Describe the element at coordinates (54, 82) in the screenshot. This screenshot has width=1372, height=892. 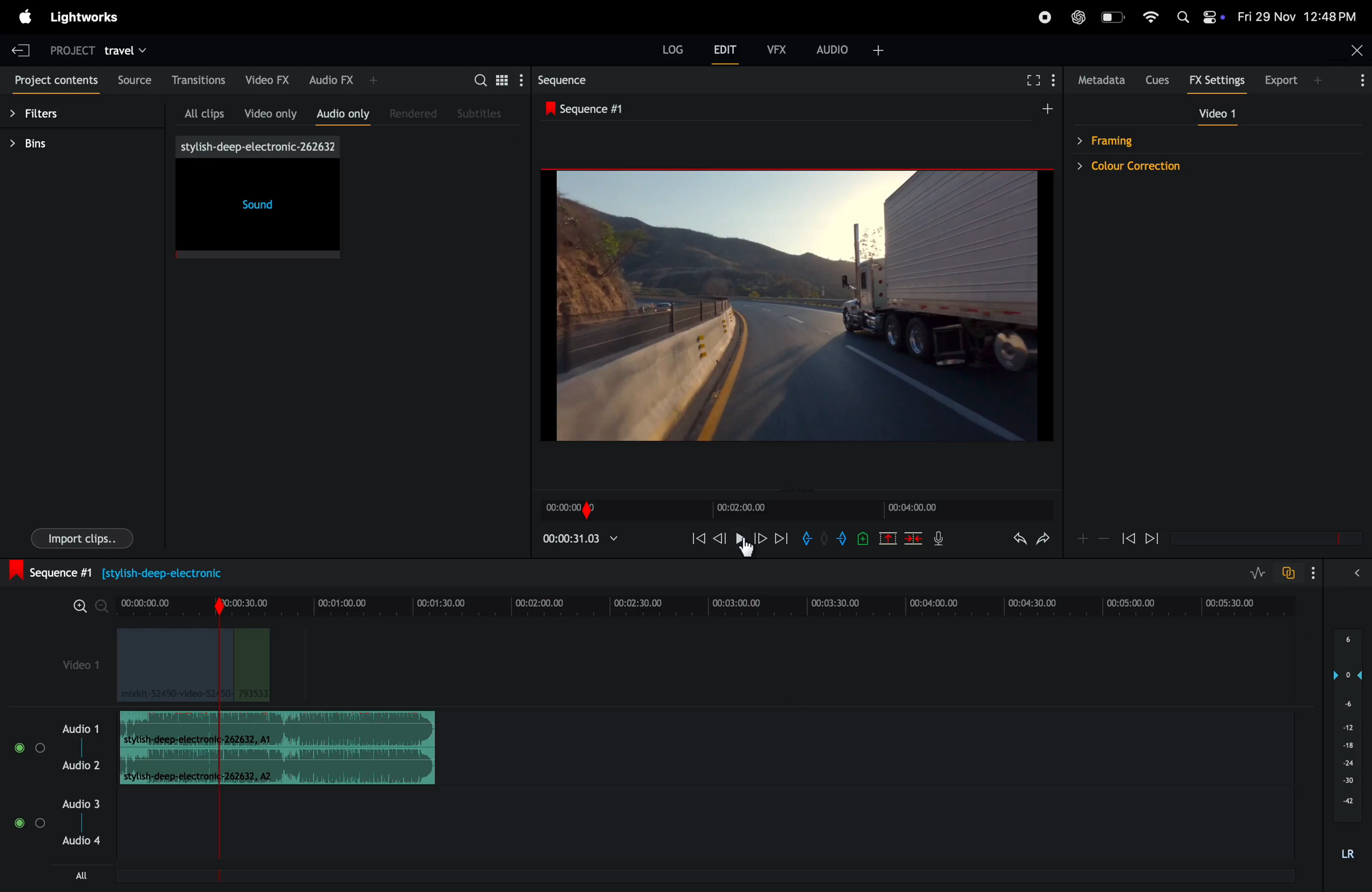
I see `project contents` at that location.